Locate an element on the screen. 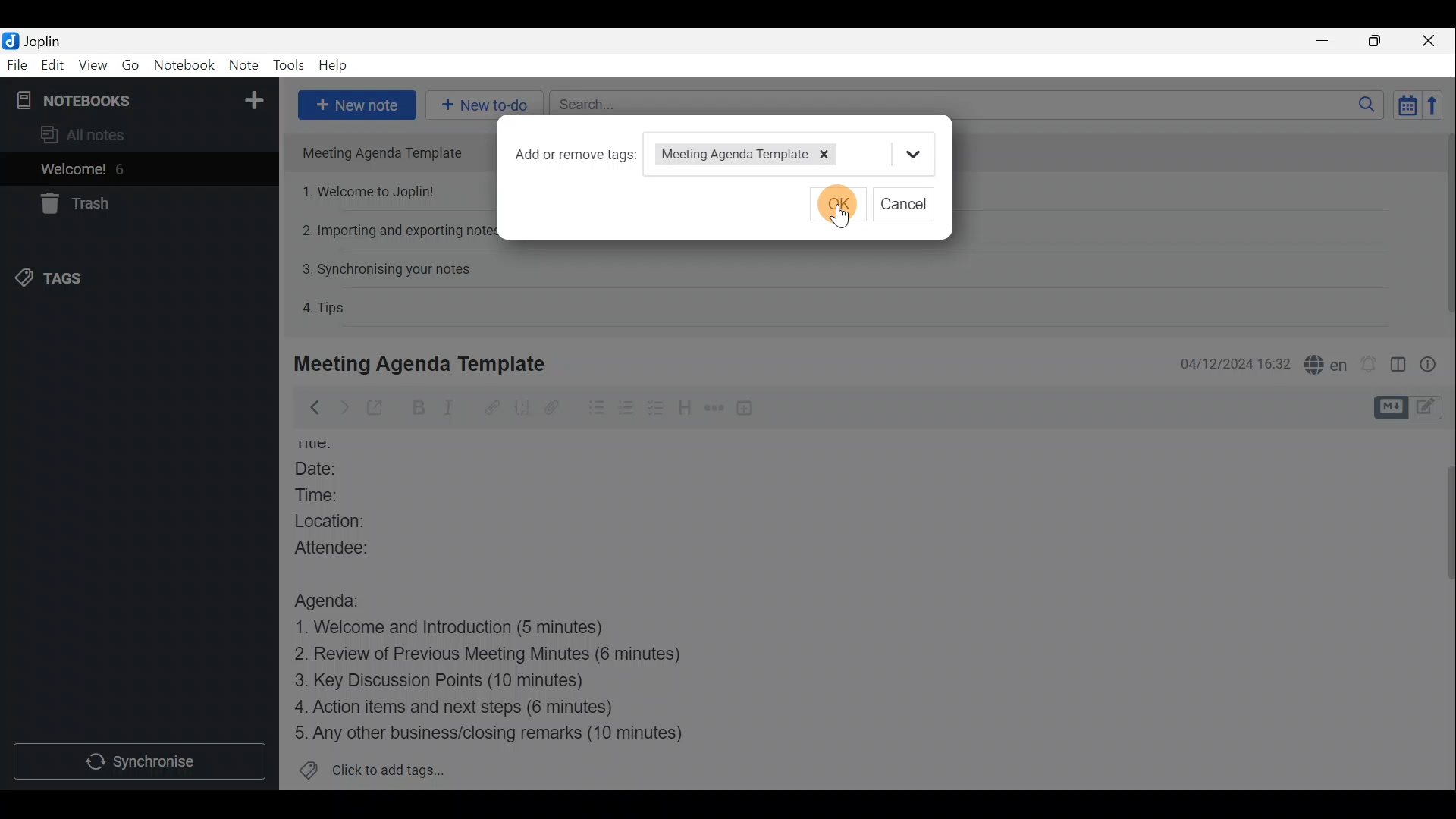 Image resolution: width=1456 pixels, height=819 pixels. Notebook is located at coordinates (183, 64).